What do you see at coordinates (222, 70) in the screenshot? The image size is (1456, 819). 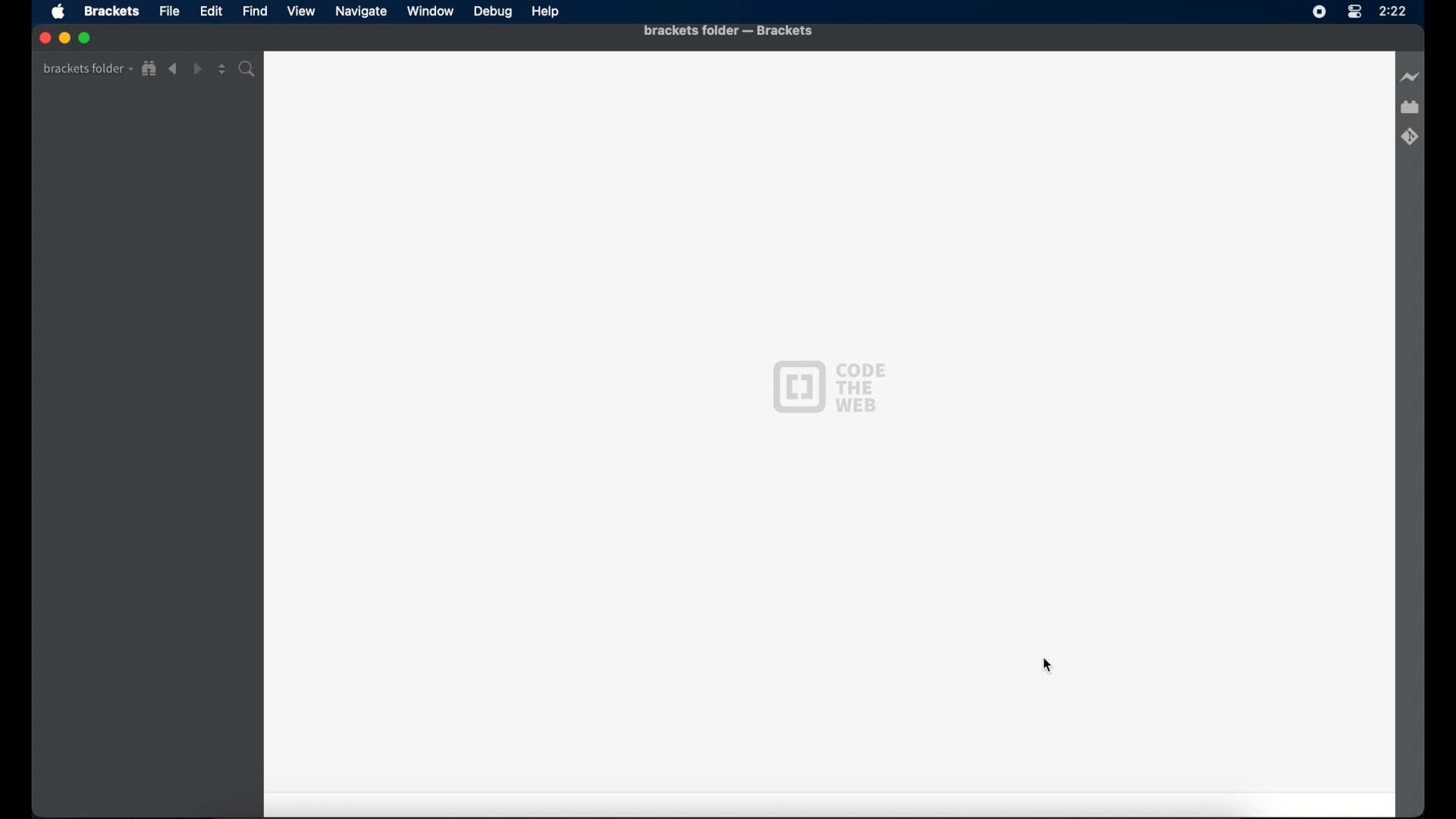 I see `split editor vertical or horizontal` at bounding box center [222, 70].